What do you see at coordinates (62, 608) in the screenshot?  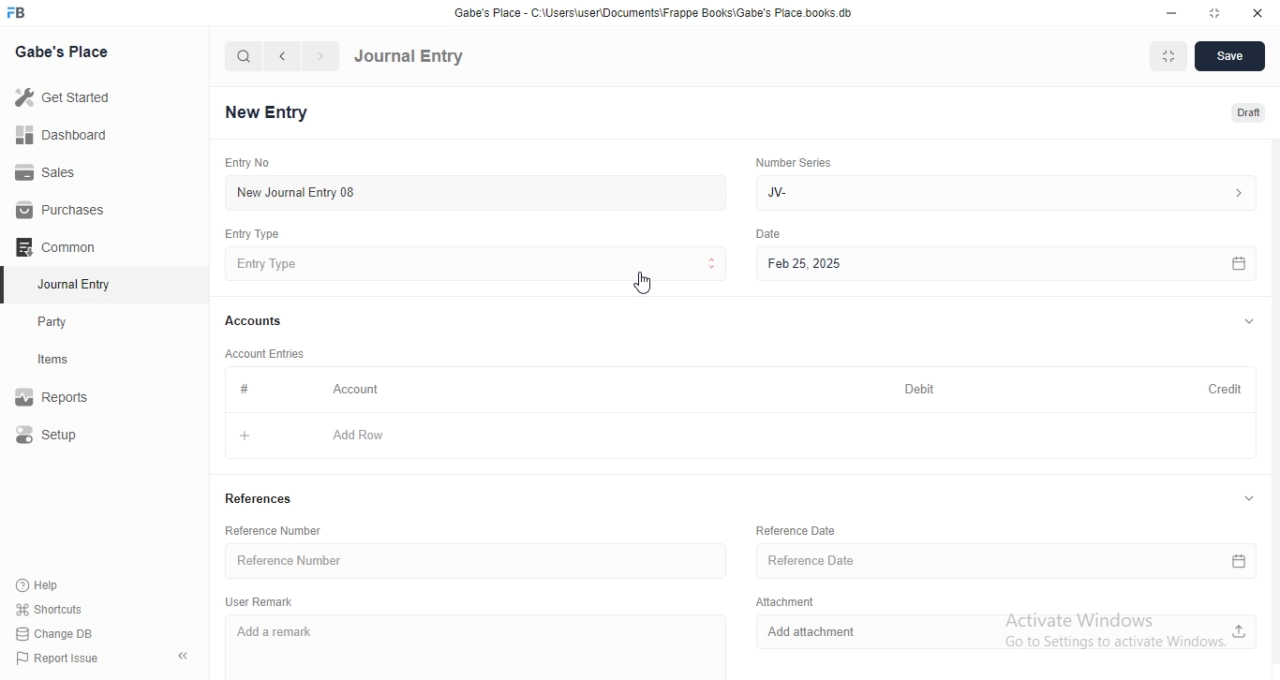 I see `shortcuts` at bounding box center [62, 608].